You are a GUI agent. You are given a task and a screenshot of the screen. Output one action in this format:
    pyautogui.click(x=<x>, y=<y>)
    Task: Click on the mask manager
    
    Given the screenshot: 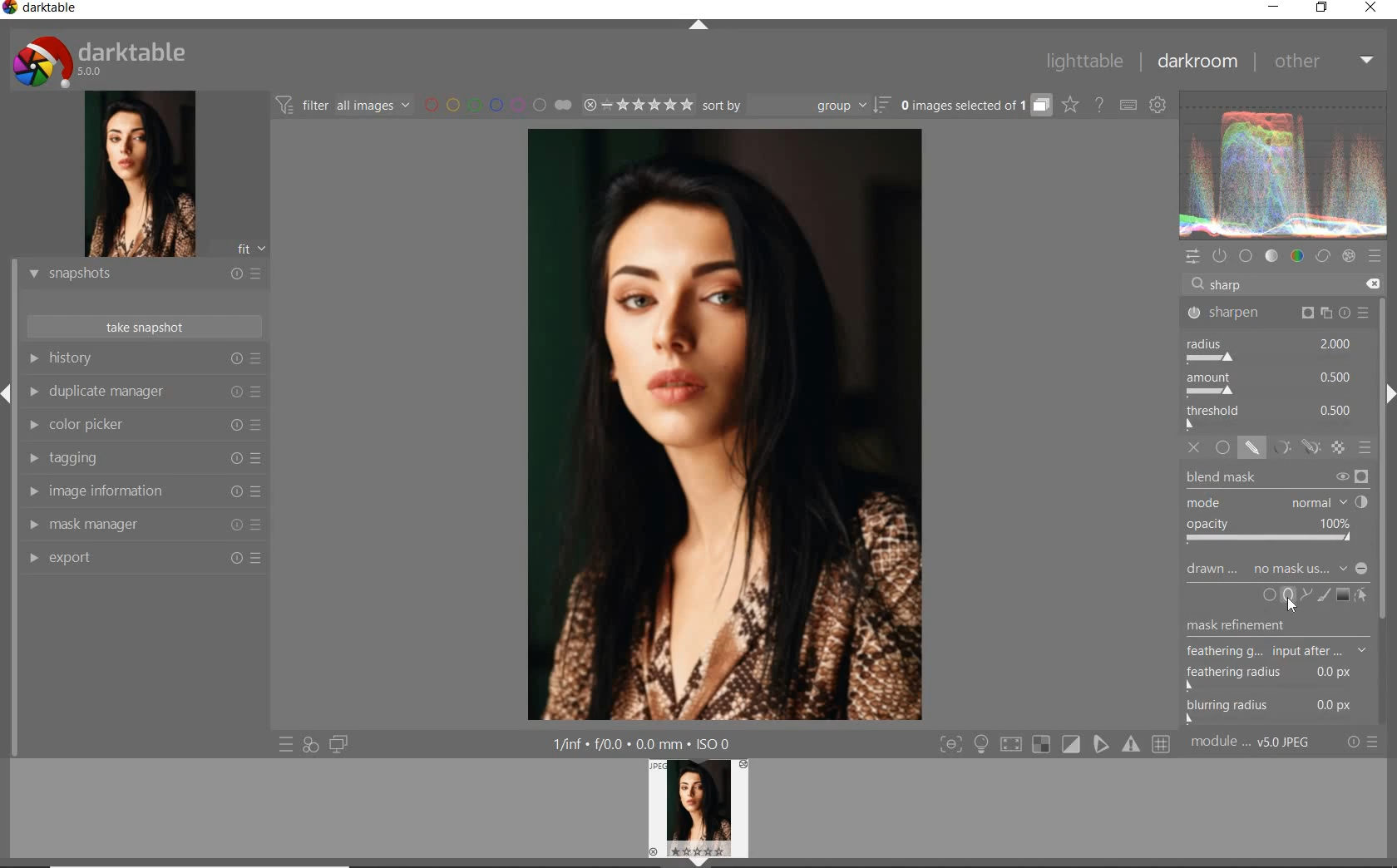 What is the action you would take?
    pyautogui.click(x=143, y=525)
    